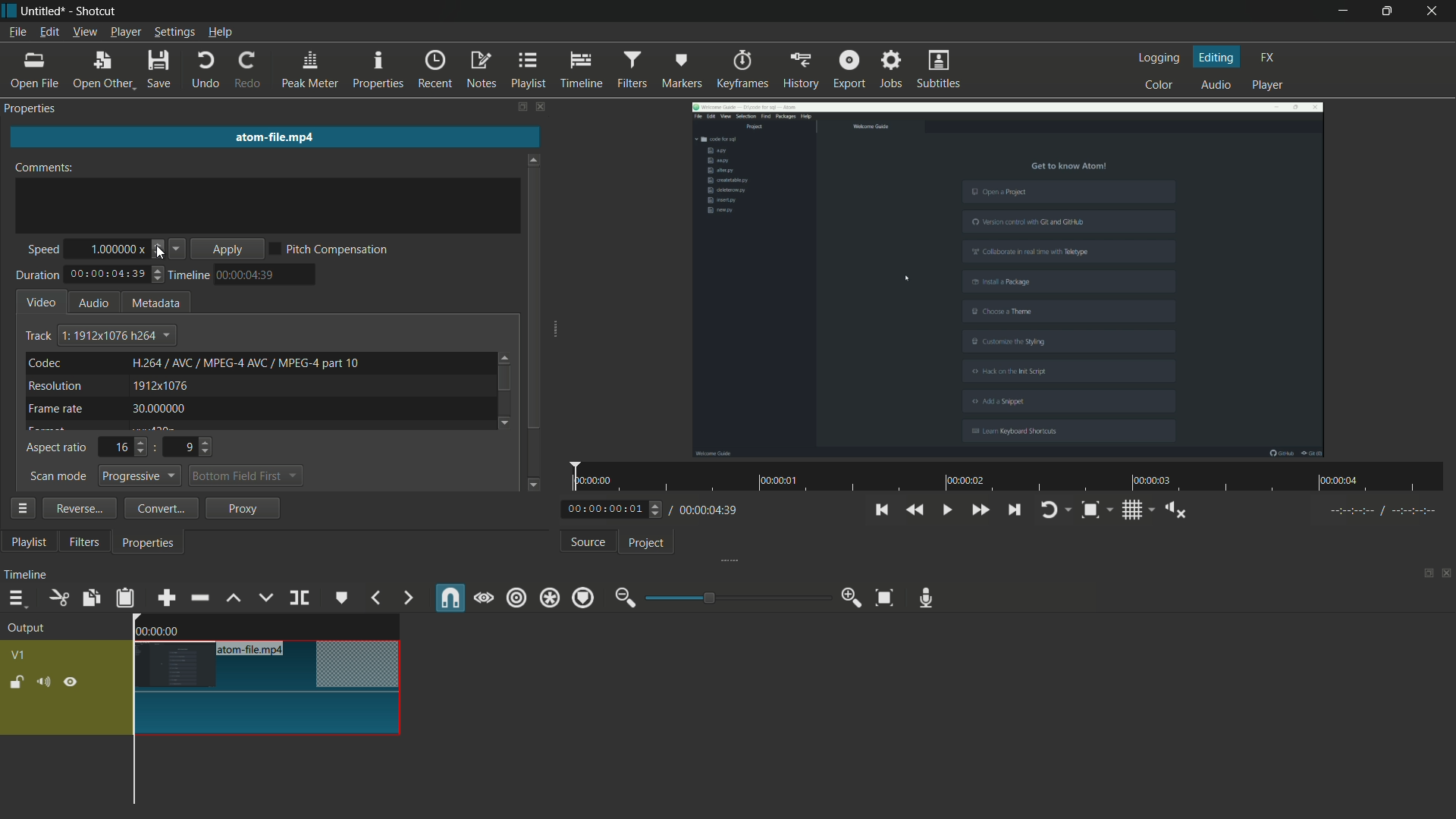  What do you see at coordinates (50, 32) in the screenshot?
I see `edit menu` at bounding box center [50, 32].